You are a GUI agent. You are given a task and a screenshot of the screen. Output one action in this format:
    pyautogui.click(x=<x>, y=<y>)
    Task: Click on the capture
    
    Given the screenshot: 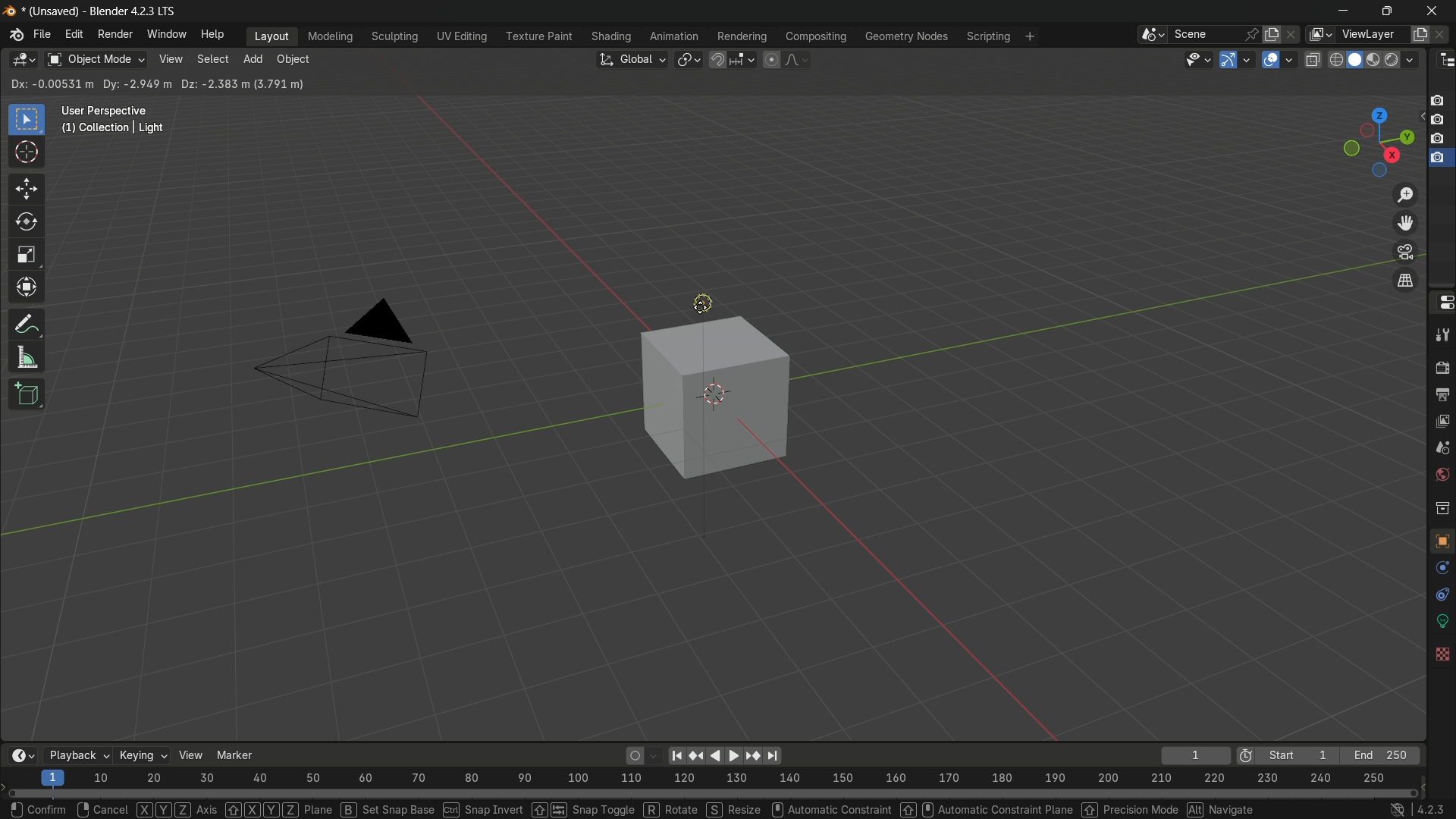 What is the action you would take?
    pyautogui.click(x=1438, y=96)
    